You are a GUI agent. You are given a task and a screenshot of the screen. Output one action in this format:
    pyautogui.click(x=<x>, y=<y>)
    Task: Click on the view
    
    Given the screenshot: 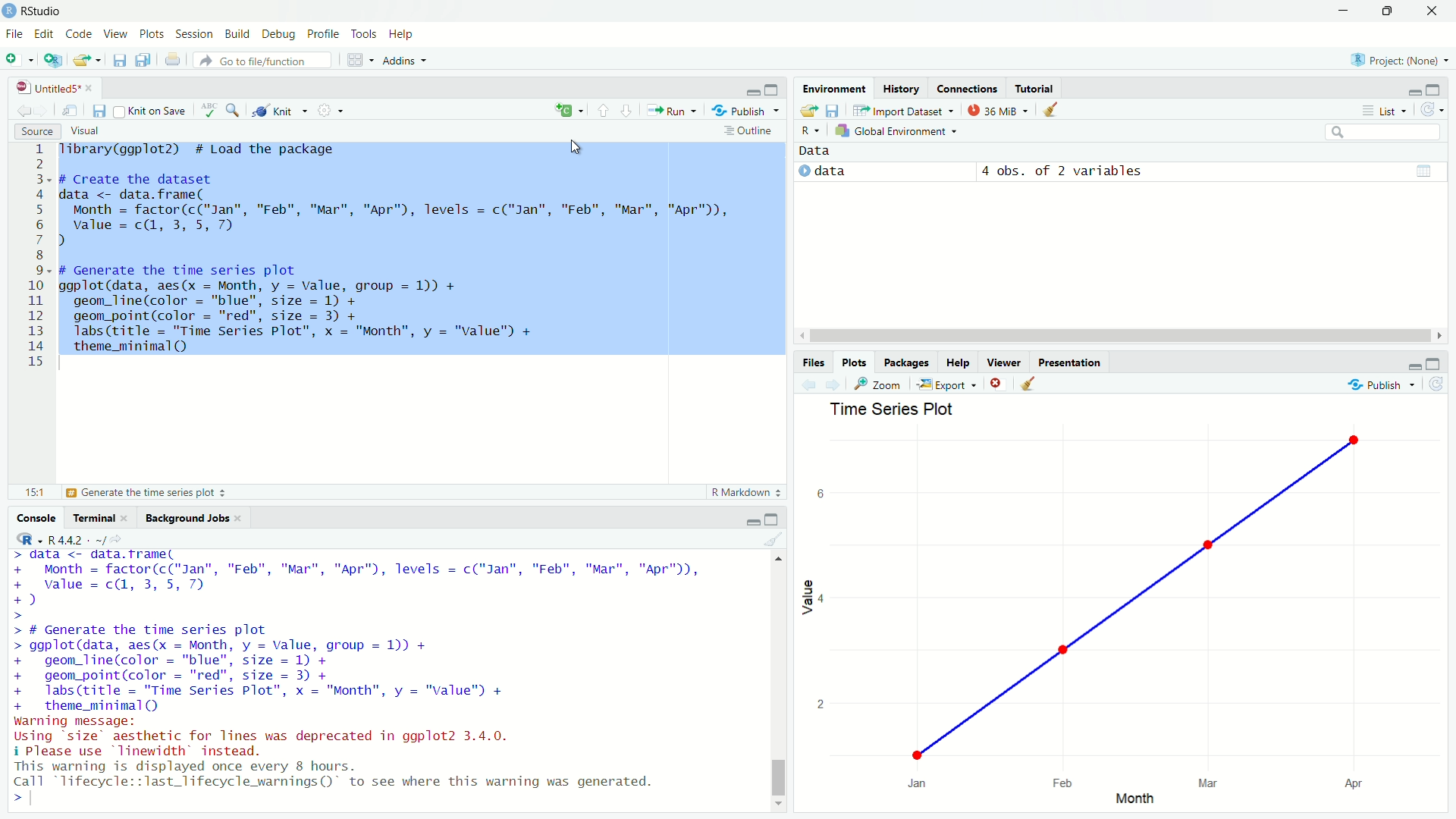 What is the action you would take?
    pyautogui.click(x=115, y=33)
    